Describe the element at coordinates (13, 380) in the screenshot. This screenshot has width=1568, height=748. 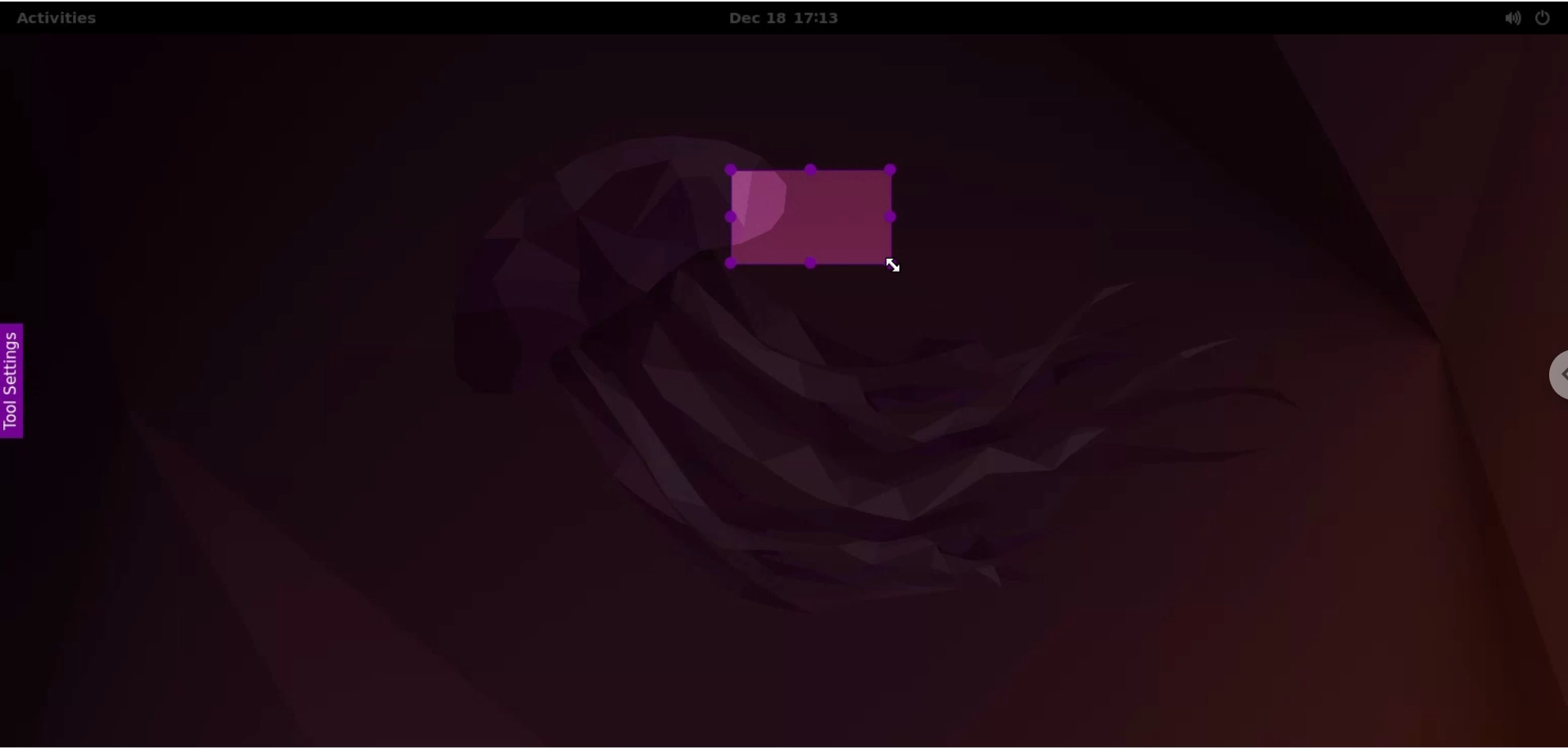
I see `settings` at that location.